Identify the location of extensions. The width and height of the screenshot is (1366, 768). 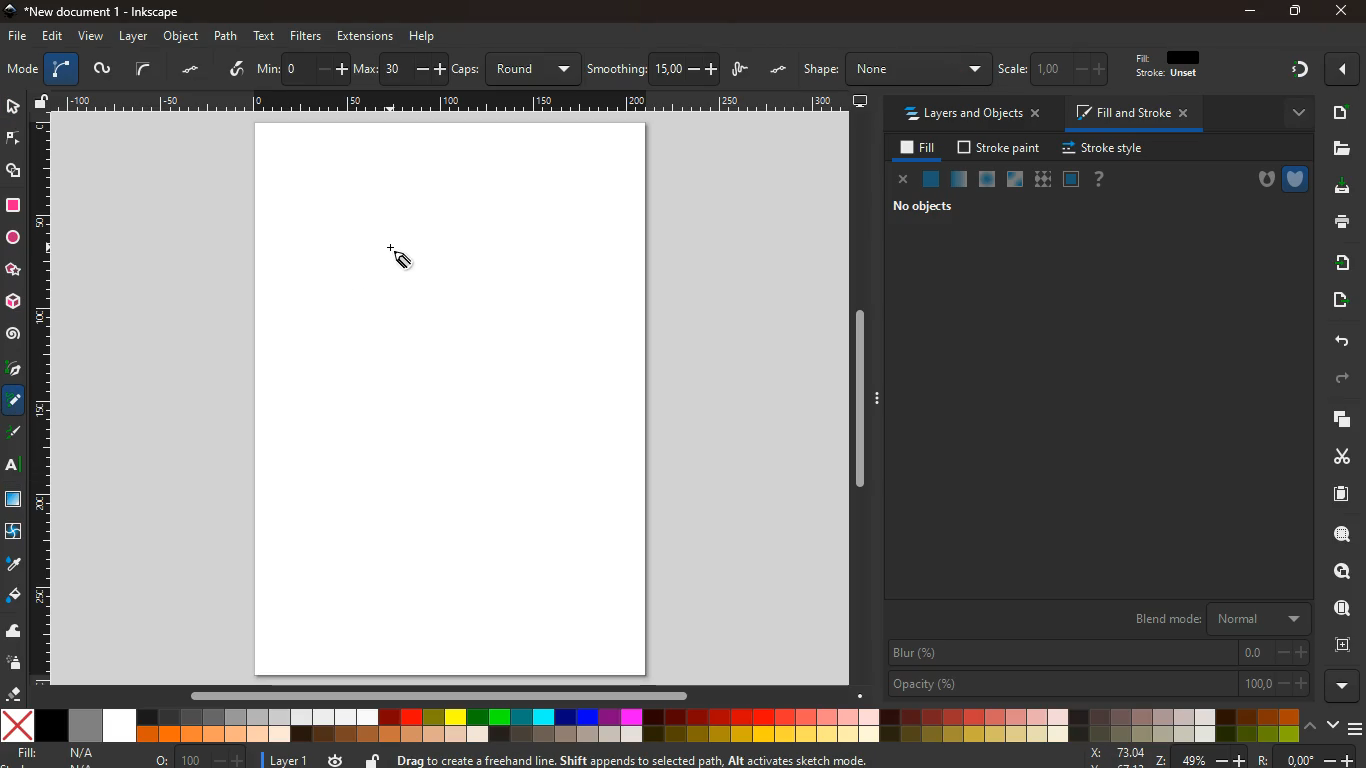
(365, 36).